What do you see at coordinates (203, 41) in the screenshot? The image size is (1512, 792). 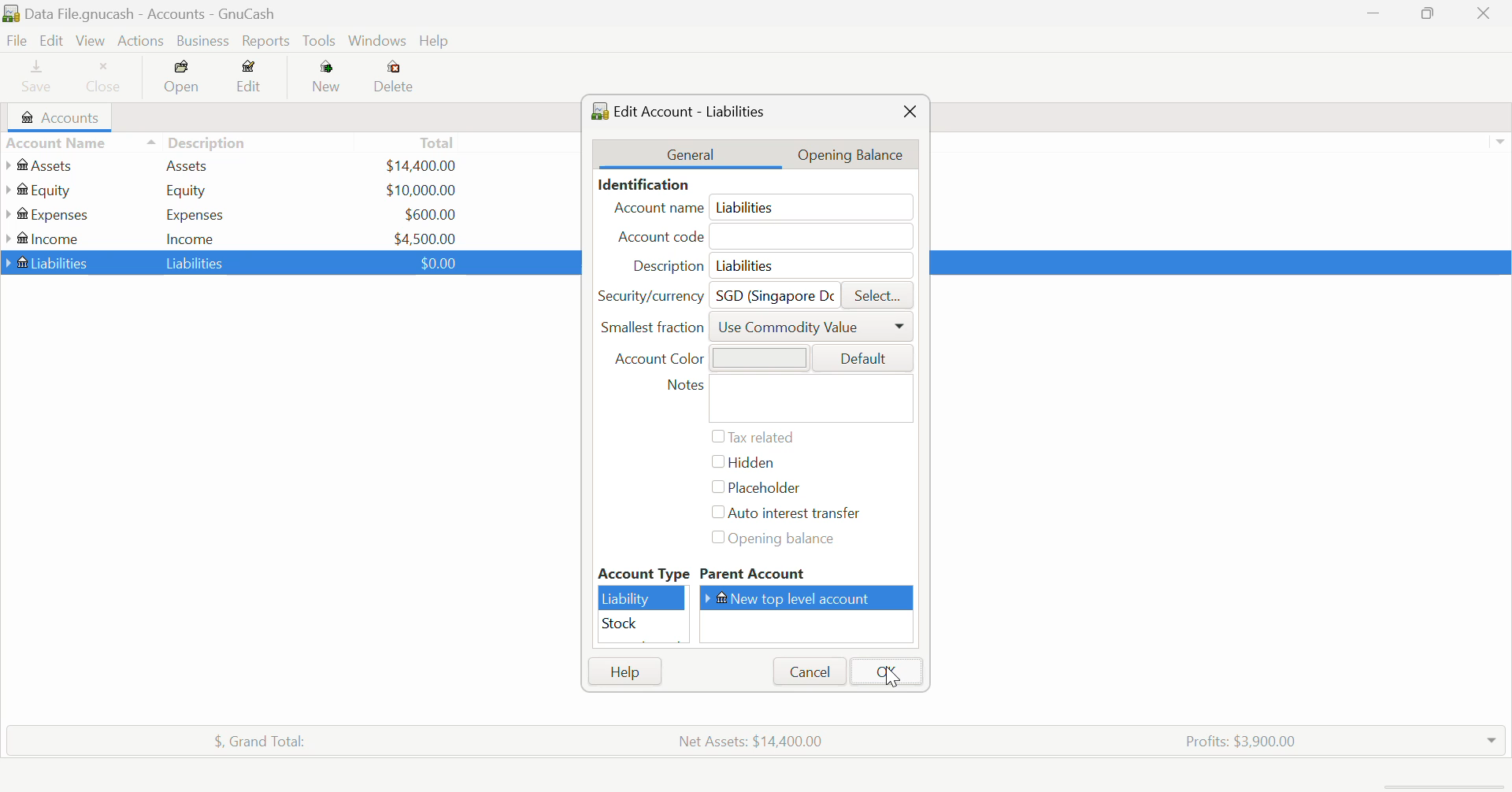 I see `Business` at bounding box center [203, 41].